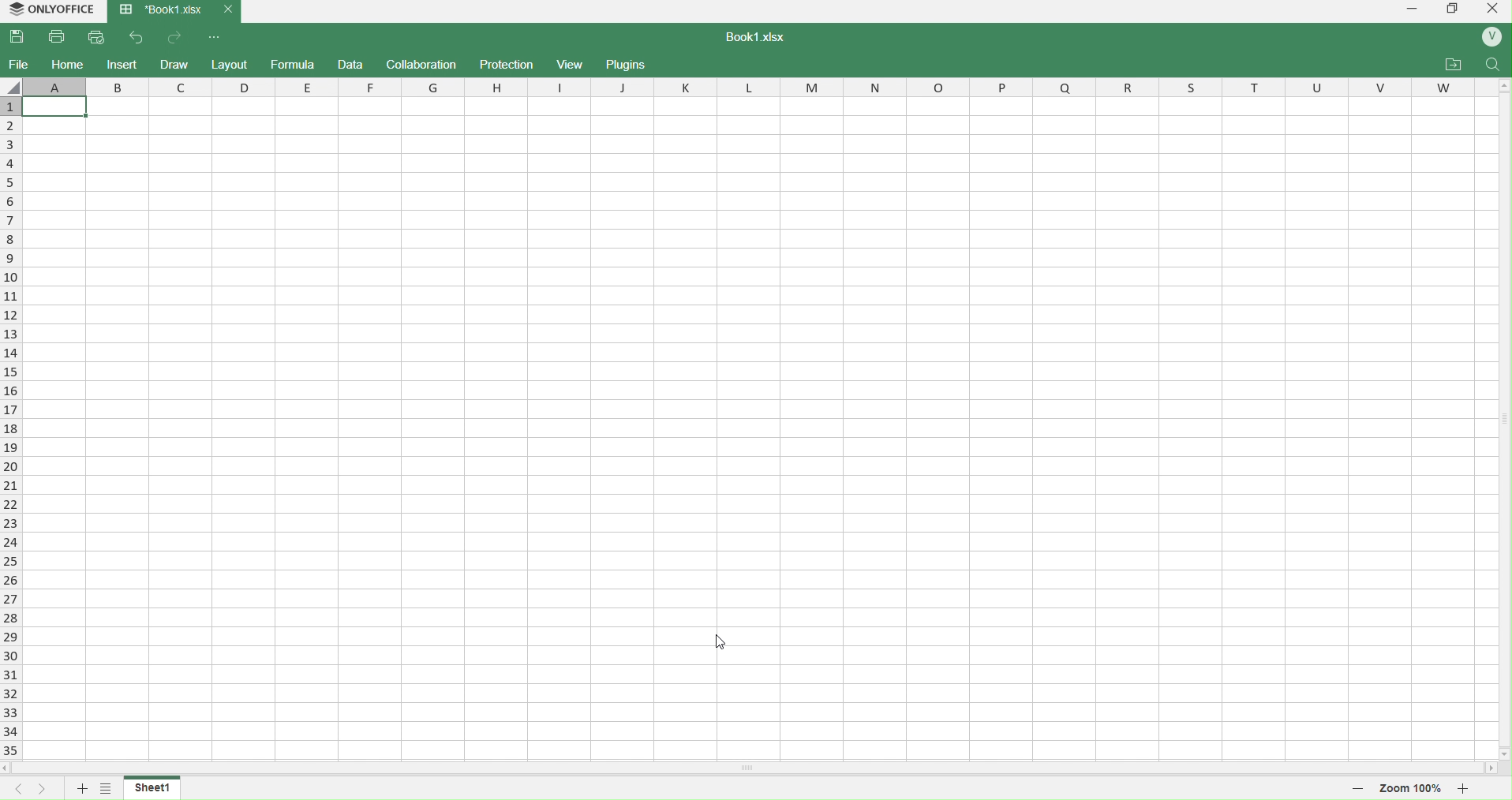 The image size is (1512, 800). What do you see at coordinates (58, 36) in the screenshot?
I see `print` at bounding box center [58, 36].